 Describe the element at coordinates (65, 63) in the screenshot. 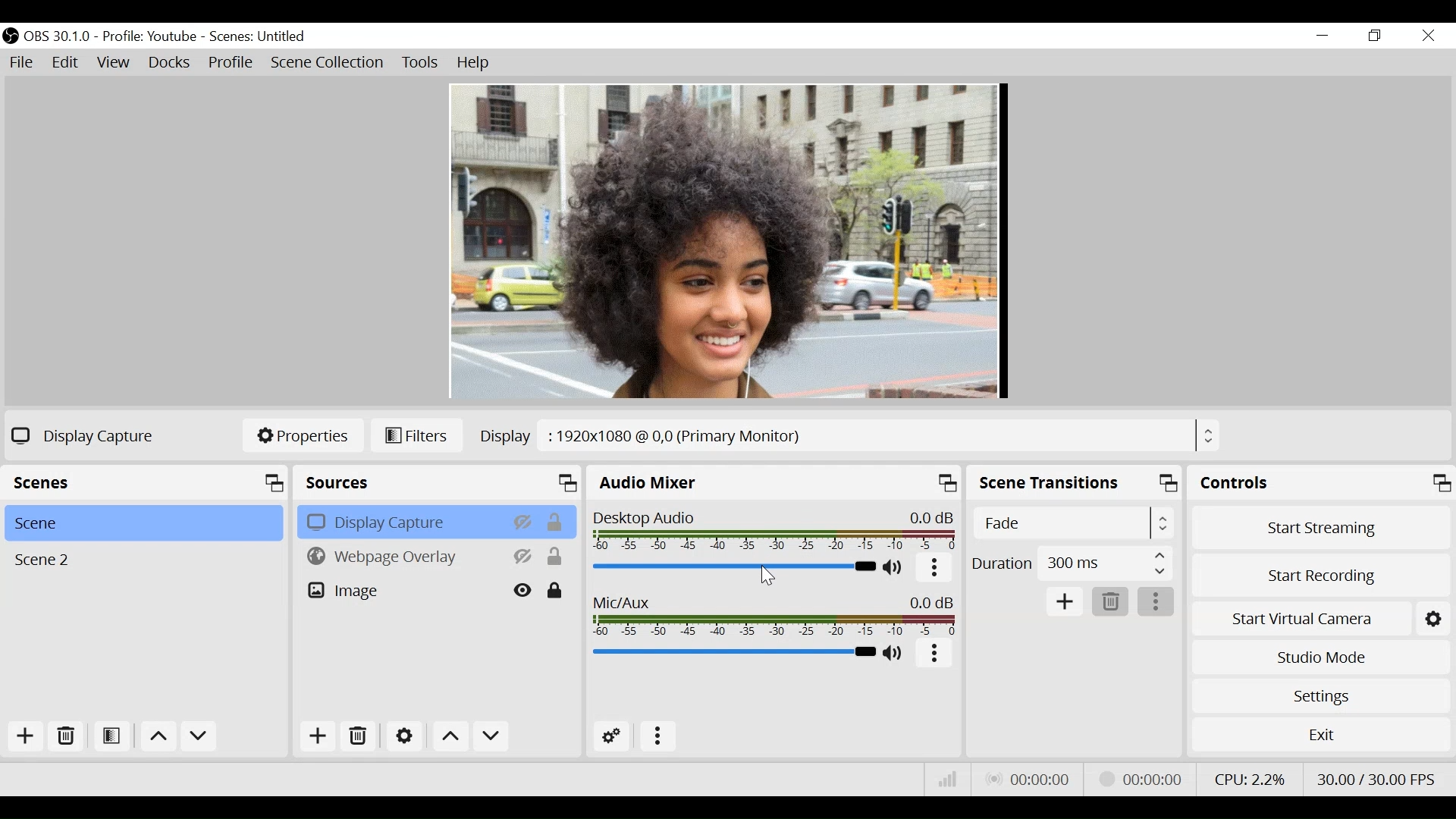

I see `Edit` at that location.